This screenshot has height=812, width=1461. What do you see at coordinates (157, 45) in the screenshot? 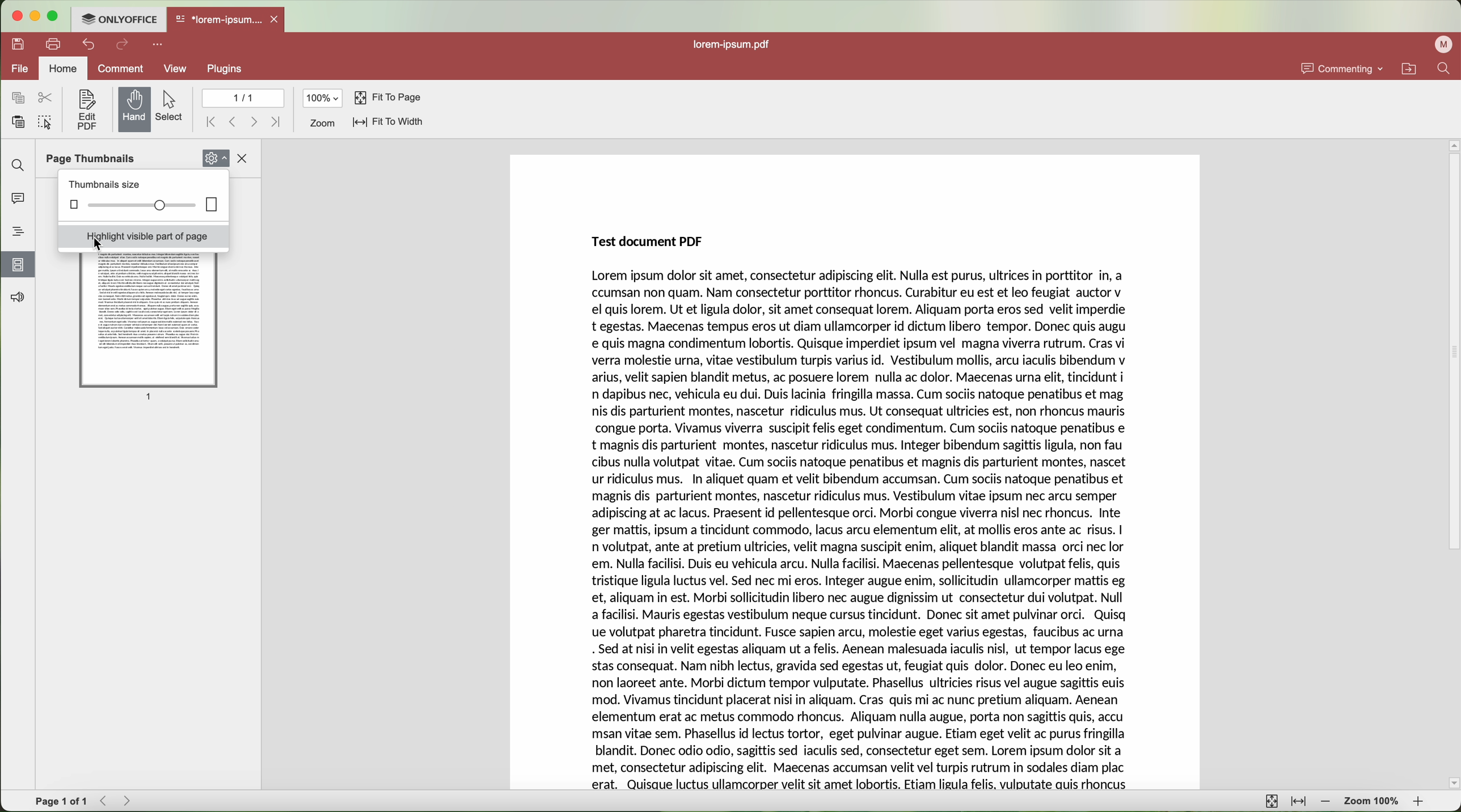
I see `customize quick access toolbar` at bounding box center [157, 45].